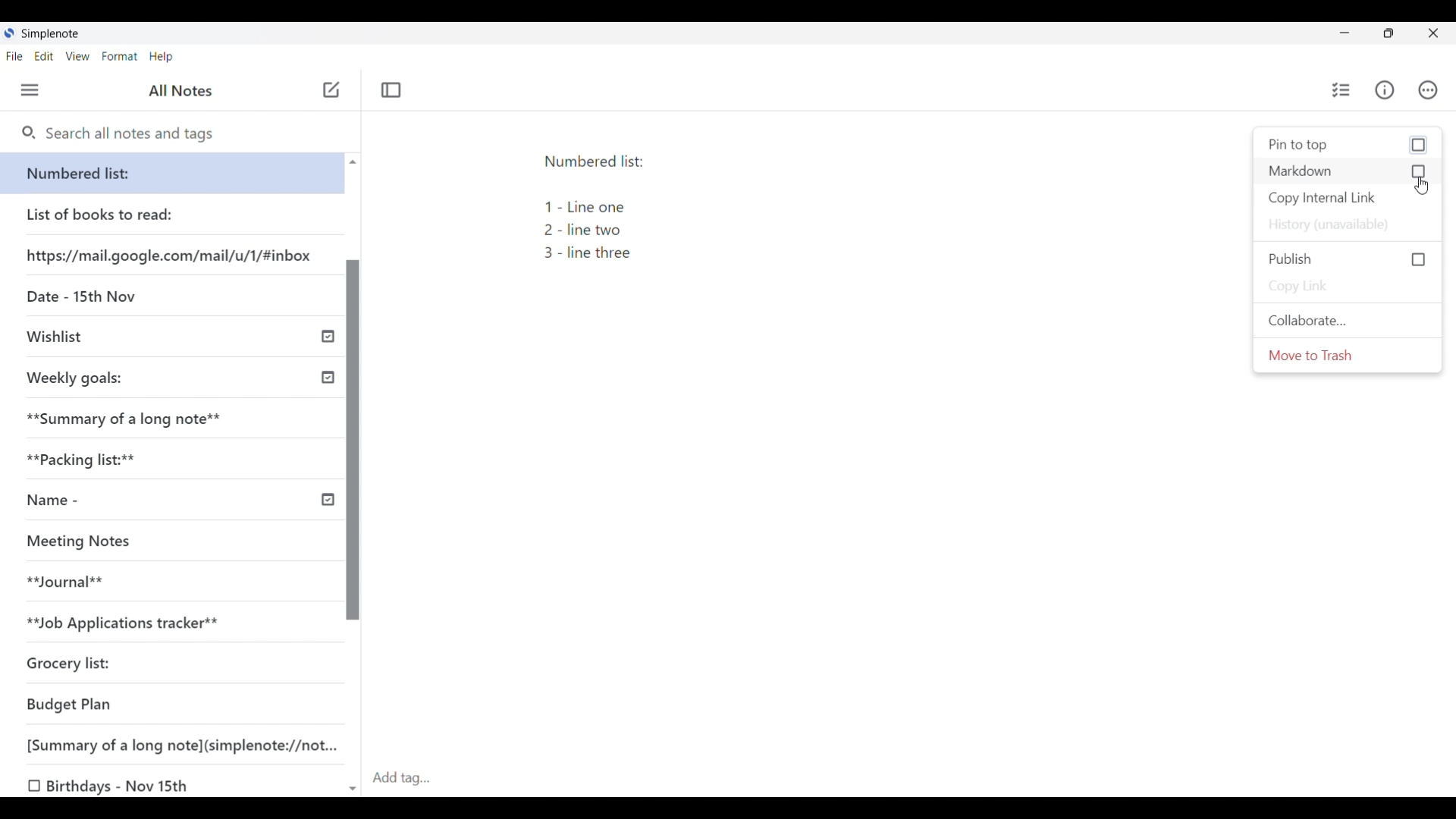 The image size is (1456, 819). What do you see at coordinates (354, 444) in the screenshot?
I see `Vertical slide bar` at bounding box center [354, 444].